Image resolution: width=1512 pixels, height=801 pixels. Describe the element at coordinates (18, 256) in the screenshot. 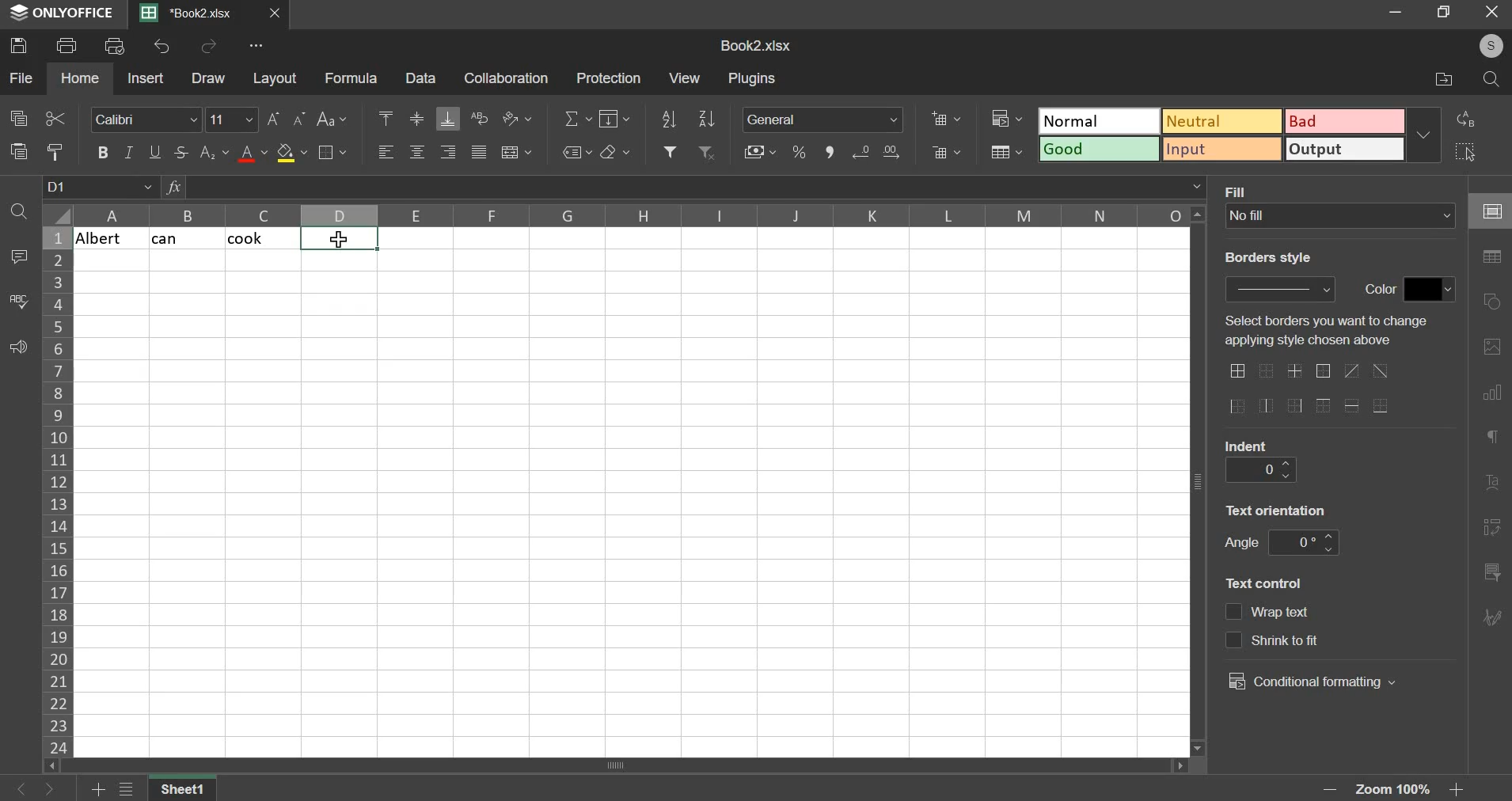

I see `comment` at that location.